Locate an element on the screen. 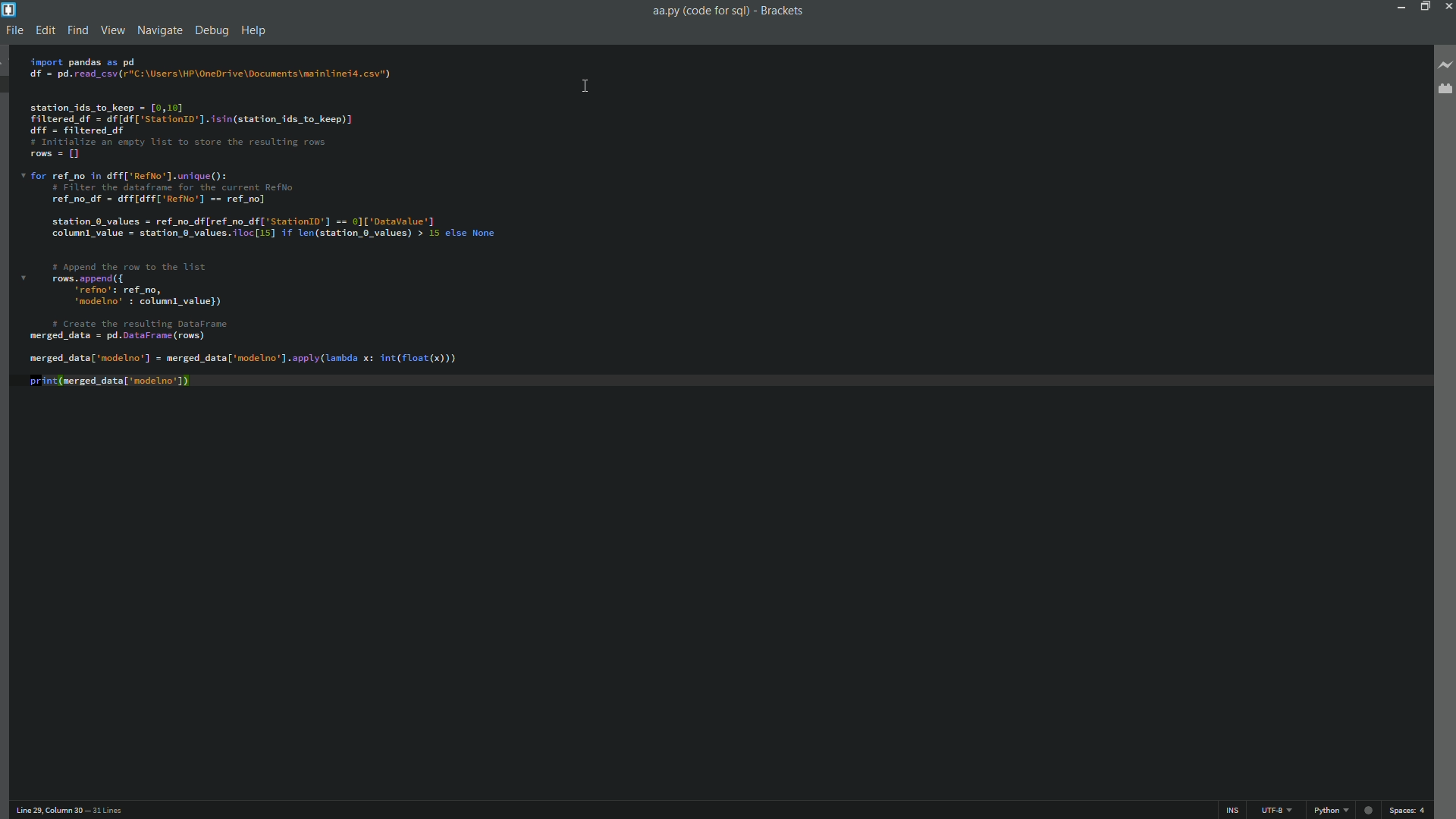 The width and height of the screenshot is (1456, 819). cursor position is located at coordinates (37, 810).